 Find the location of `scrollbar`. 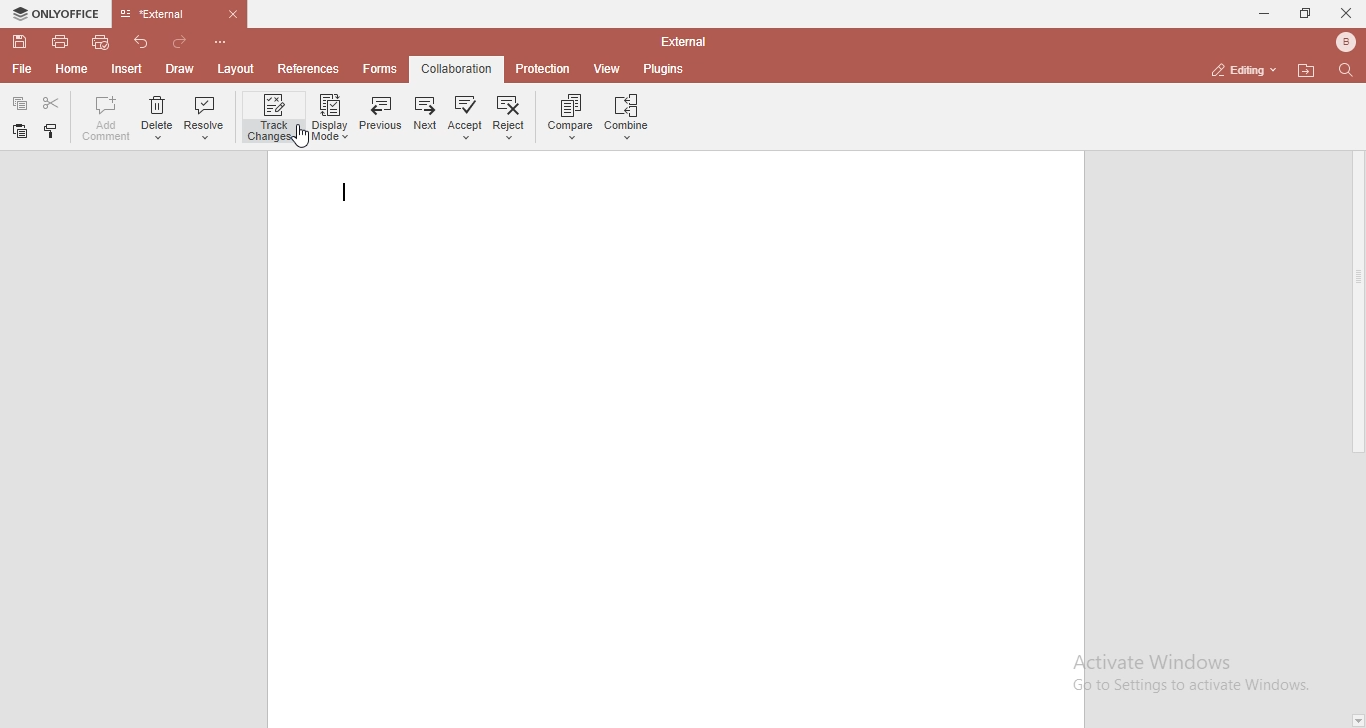

scrollbar is located at coordinates (1357, 278).